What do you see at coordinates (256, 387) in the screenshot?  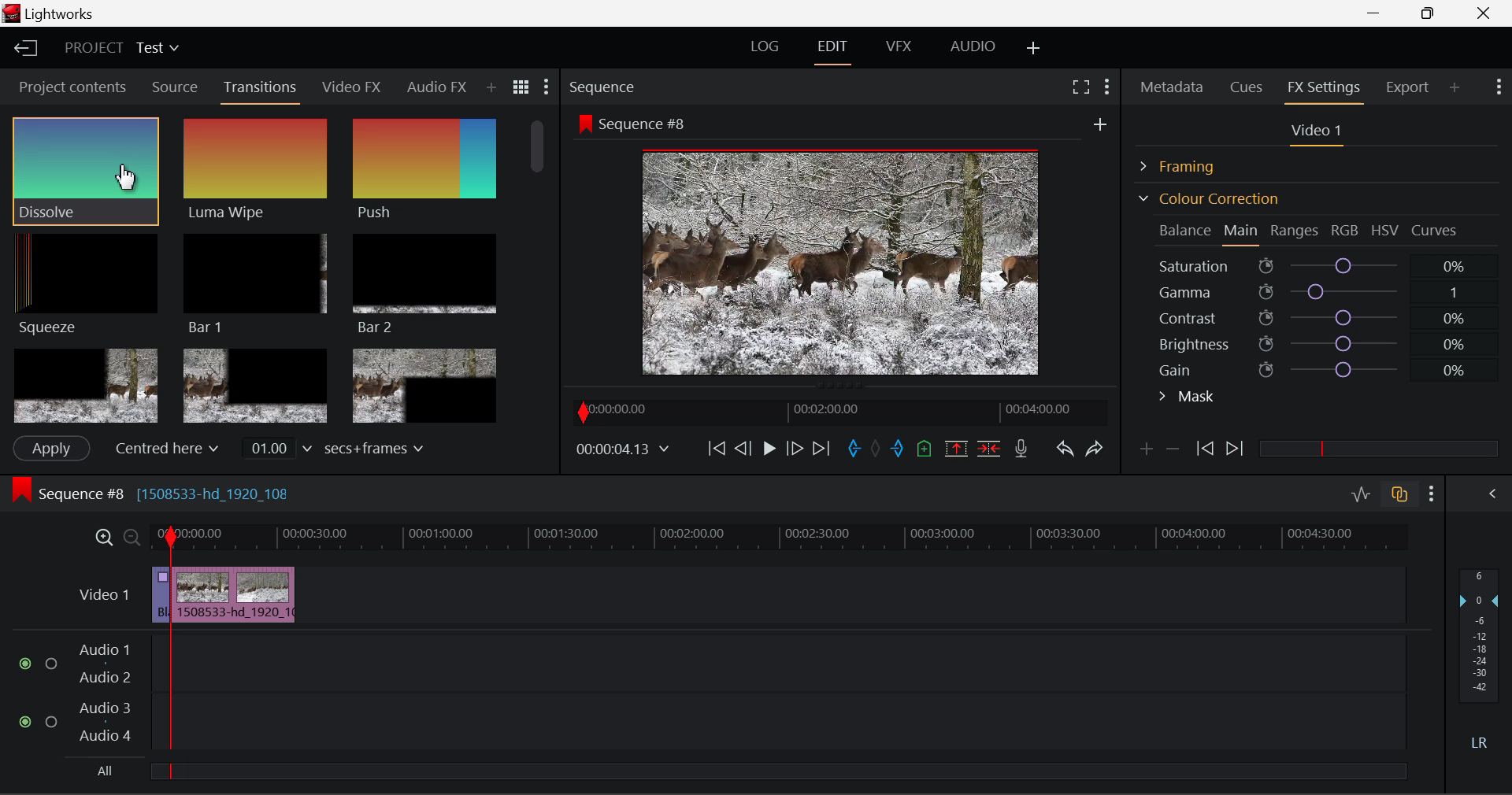 I see `Box 2` at bounding box center [256, 387].